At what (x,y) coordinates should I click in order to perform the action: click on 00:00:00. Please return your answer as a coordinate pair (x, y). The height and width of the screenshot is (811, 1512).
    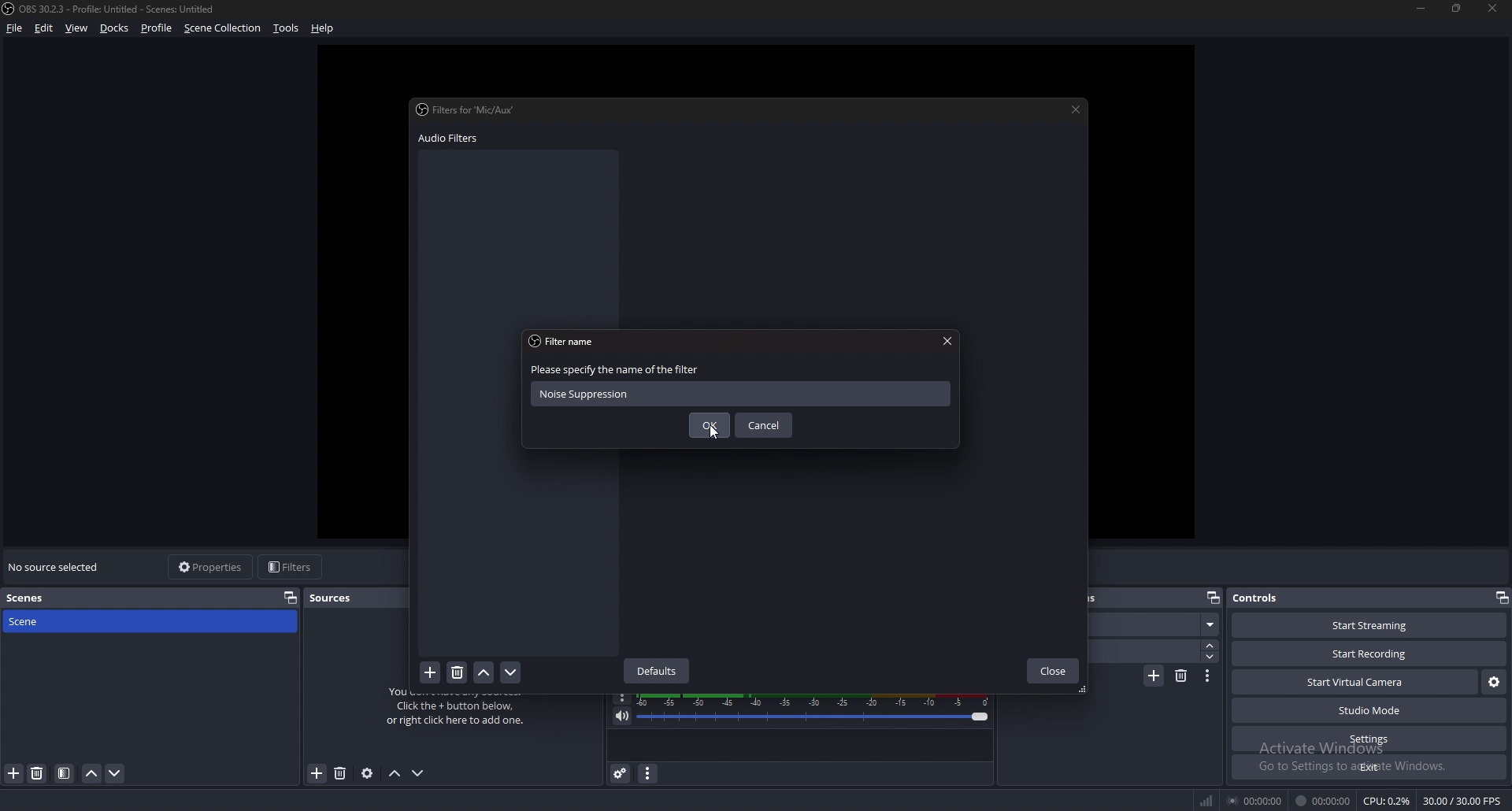
    Looking at the image, I should click on (1324, 800).